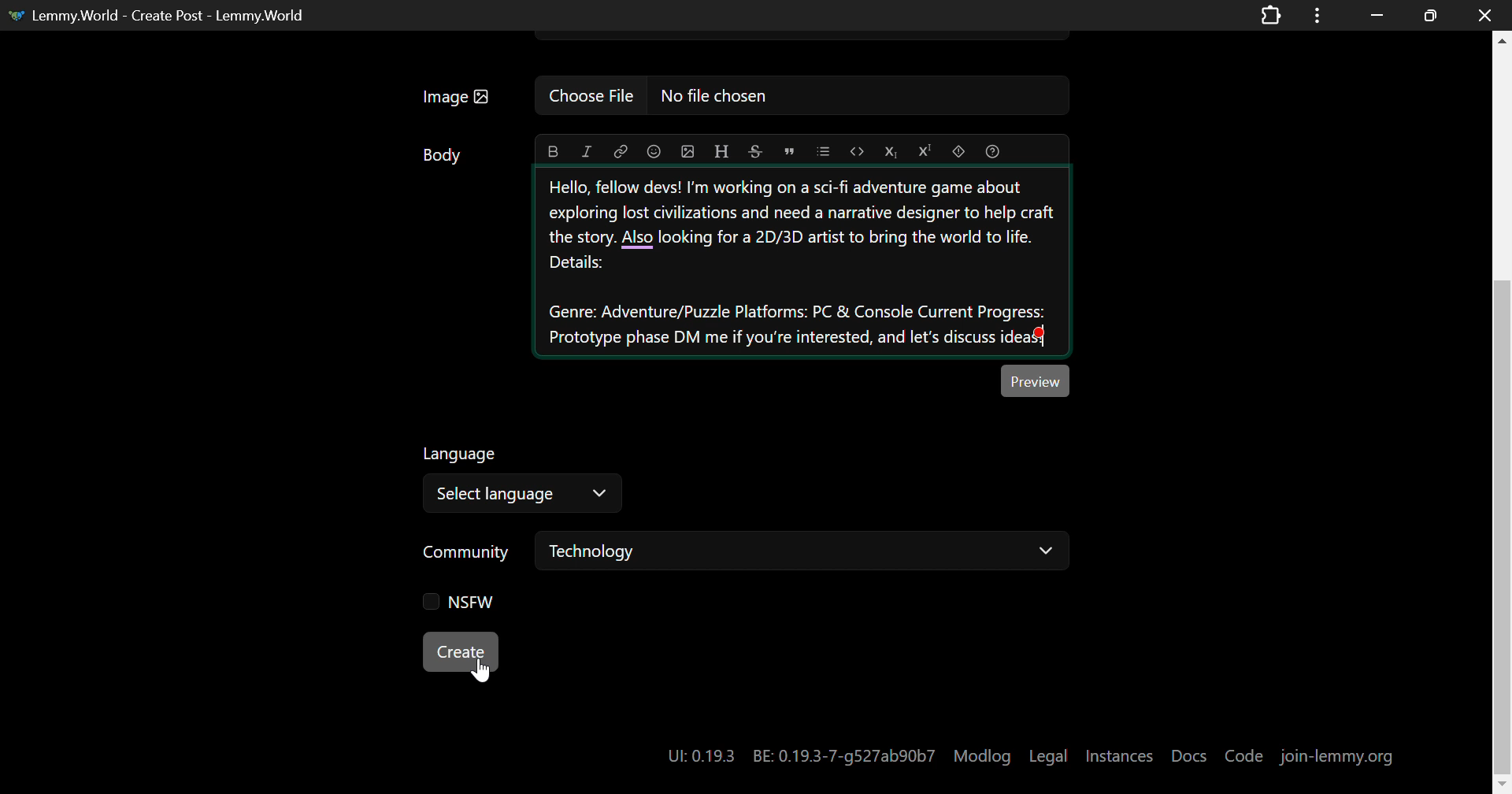 Image resolution: width=1512 pixels, height=794 pixels. Describe the element at coordinates (958, 151) in the screenshot. I see `spoiler` at that location.